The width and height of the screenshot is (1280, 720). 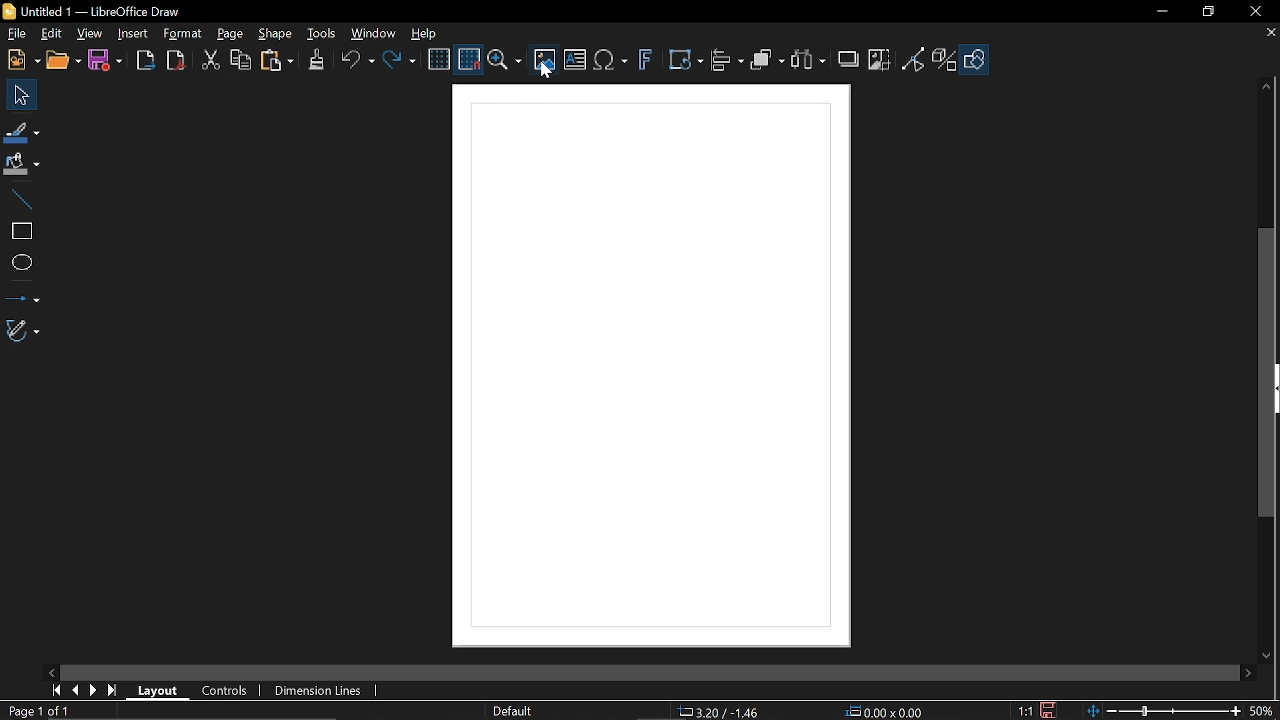 I want to click on Save, so click(x=107, y=62).